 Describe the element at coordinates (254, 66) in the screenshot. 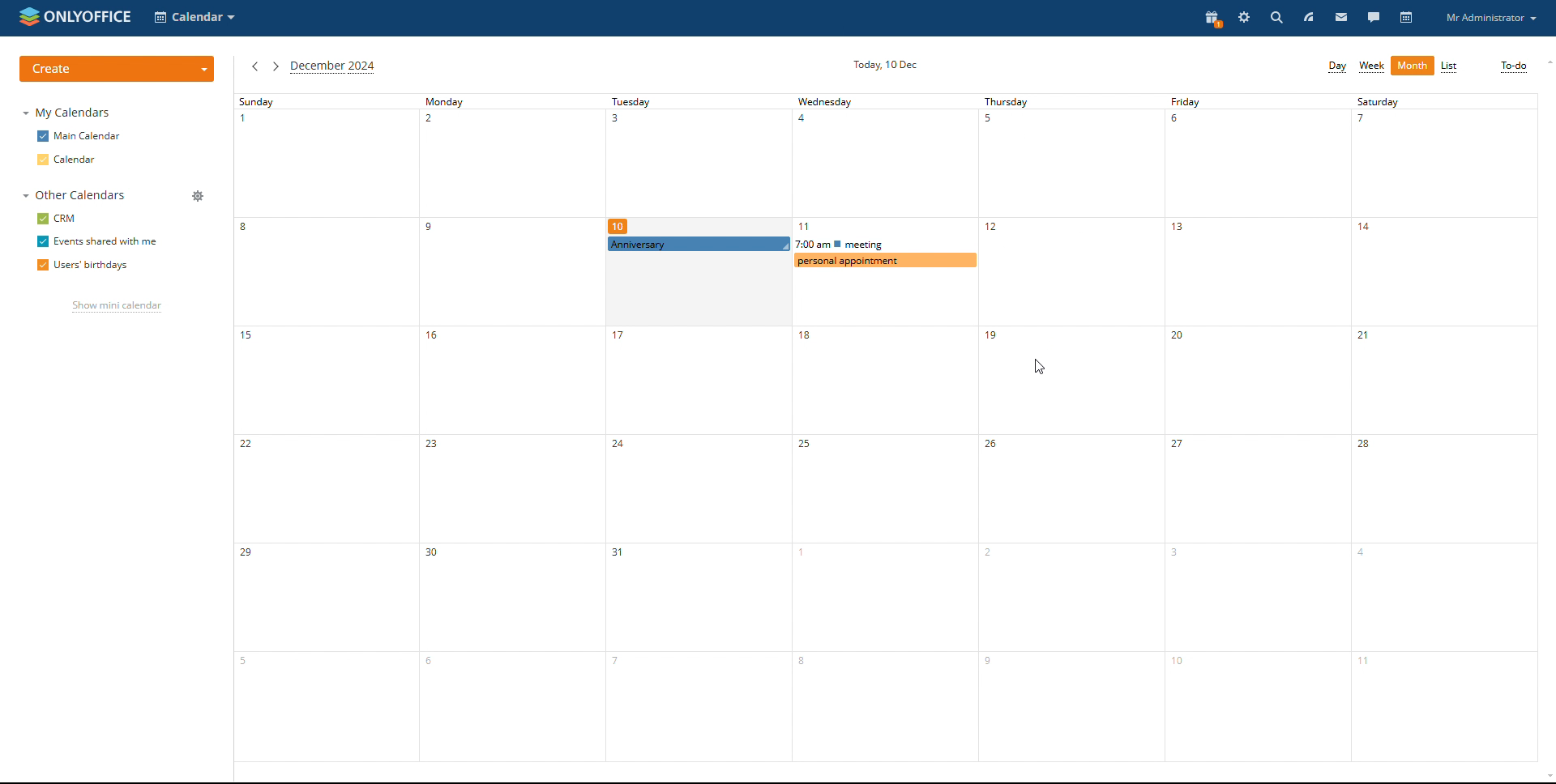

I see `previous month` at that location.